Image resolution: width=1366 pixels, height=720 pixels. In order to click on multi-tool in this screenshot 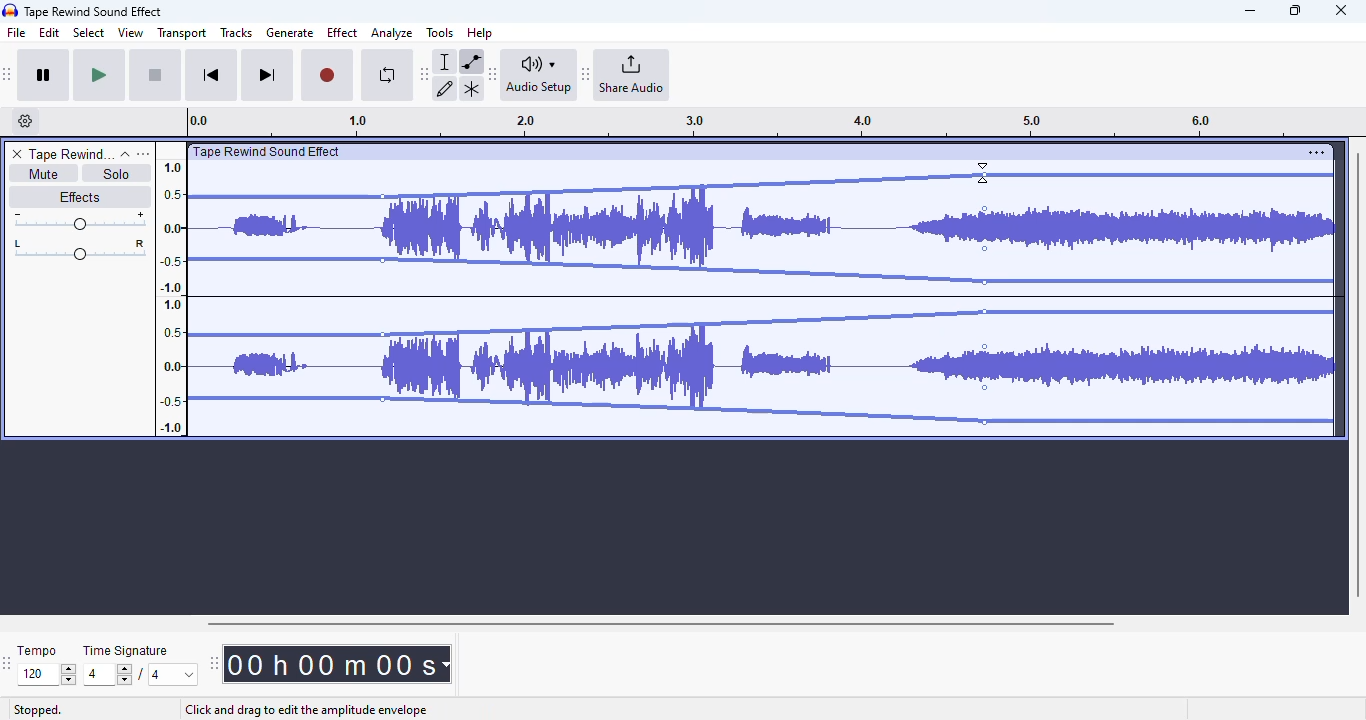, I will do `click(471, 89)`.